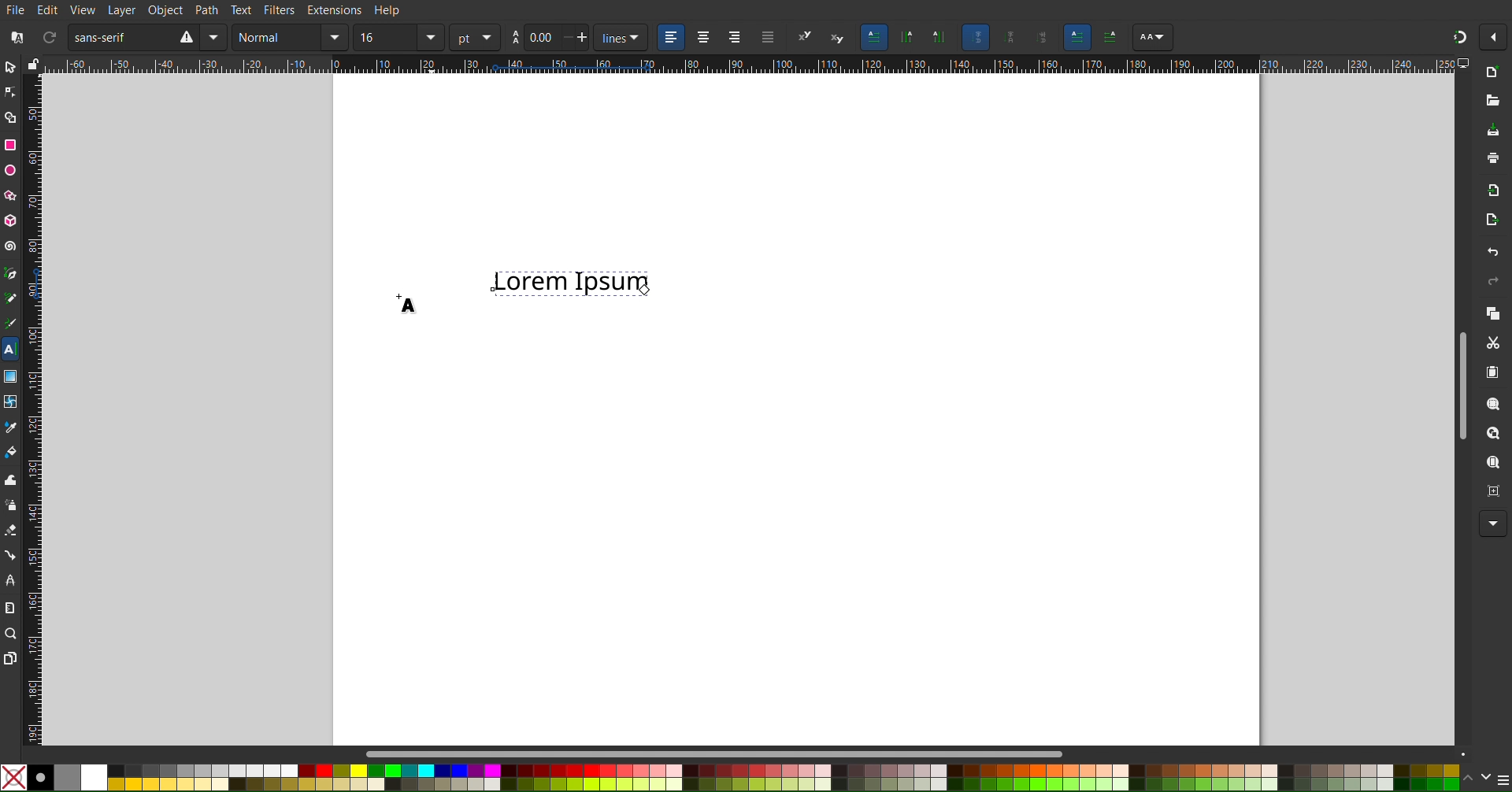 Image resolution: width=1512 pixels, height=792 pixels. What do you see at coordinates (1490, 489) in the screenshot?
I see `Zoom Center Page` at bounding box center [1490, 489].